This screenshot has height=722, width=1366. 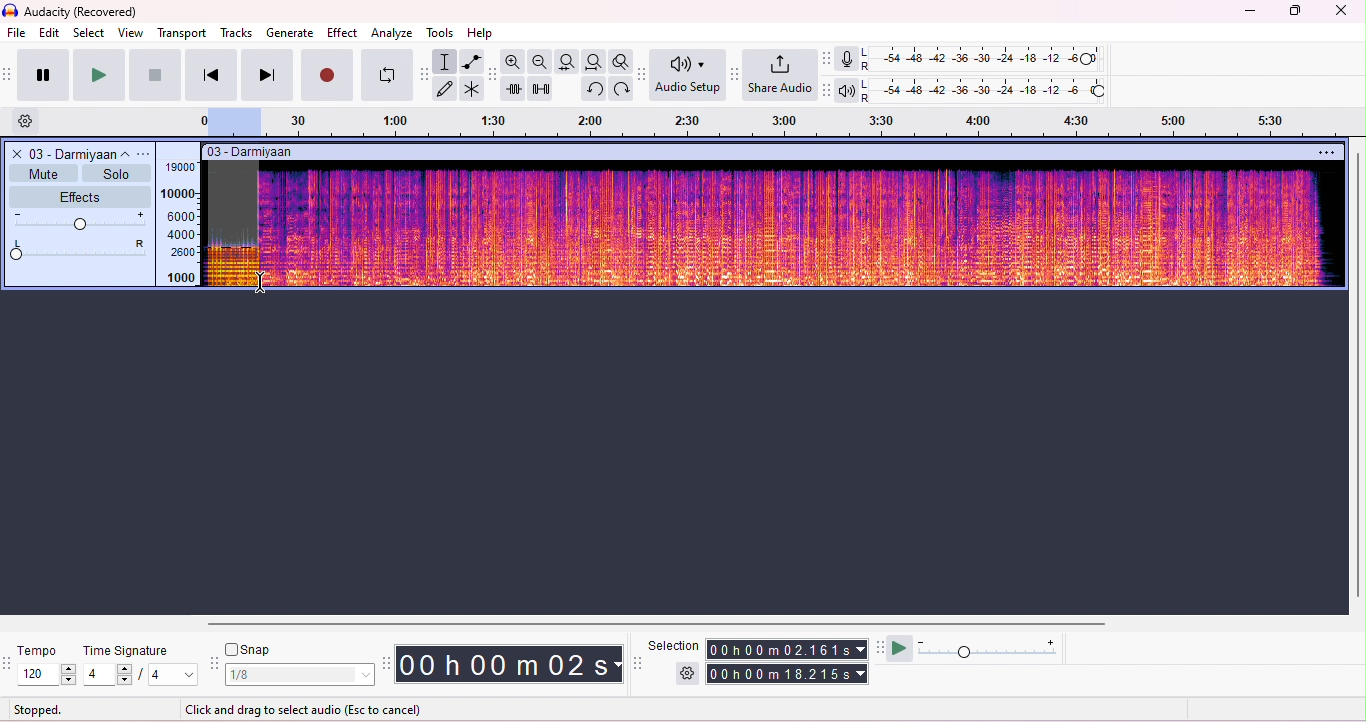 I want to click on total time, so click(x=789, y=674).